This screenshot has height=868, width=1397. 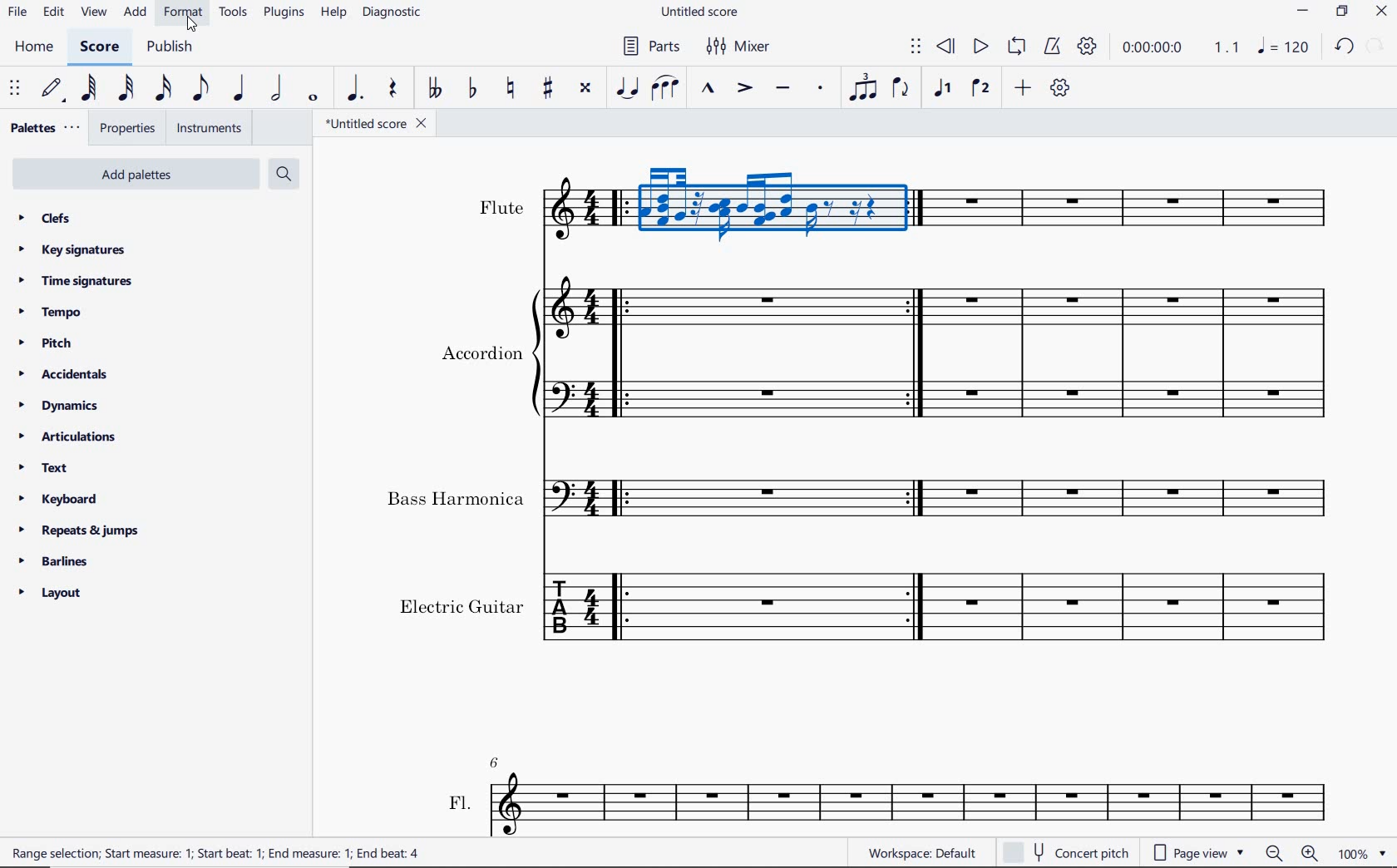 I want to click on file name, so click(x=373, y=124).